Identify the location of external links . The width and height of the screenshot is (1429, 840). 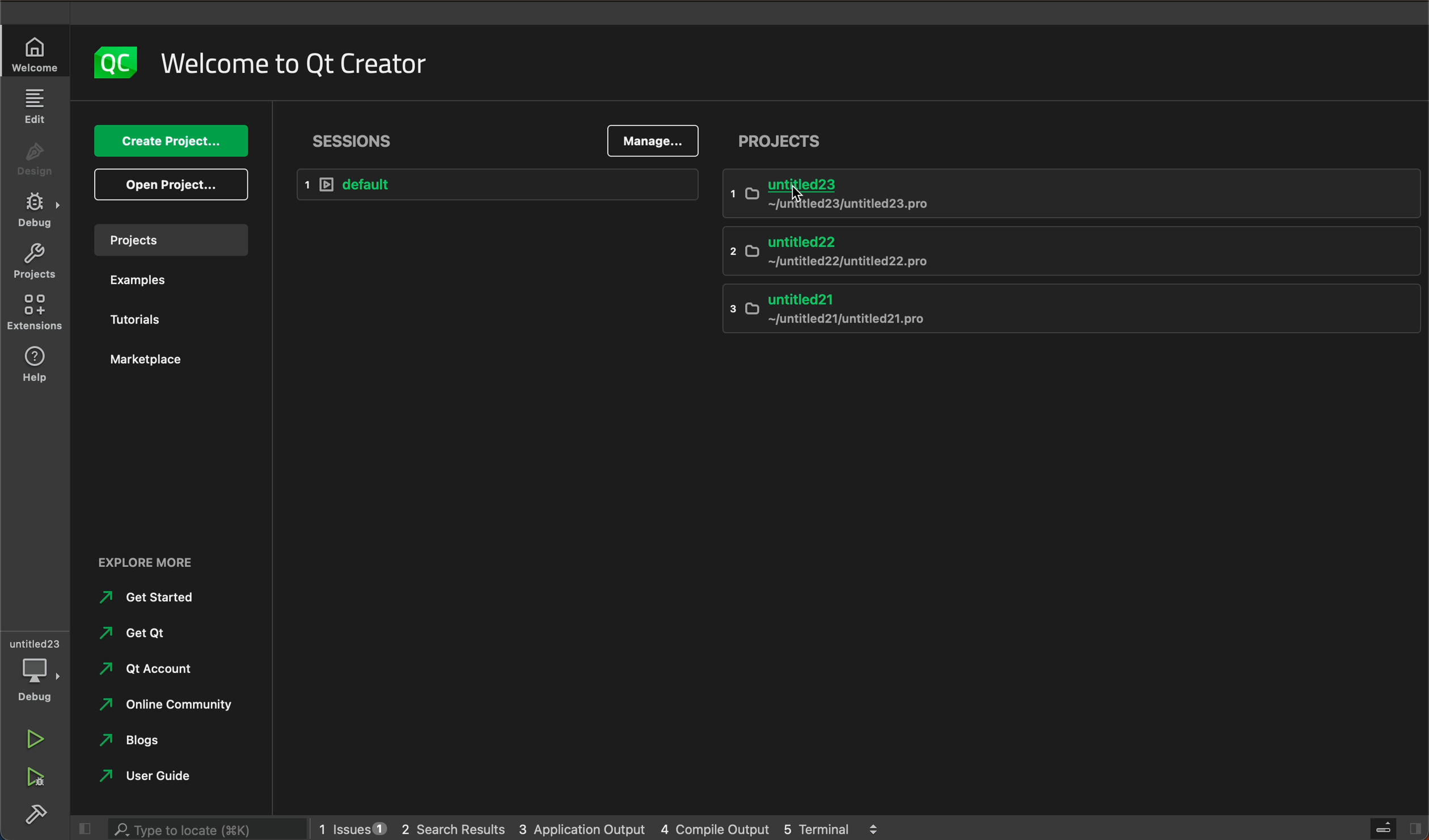
(162, 554).